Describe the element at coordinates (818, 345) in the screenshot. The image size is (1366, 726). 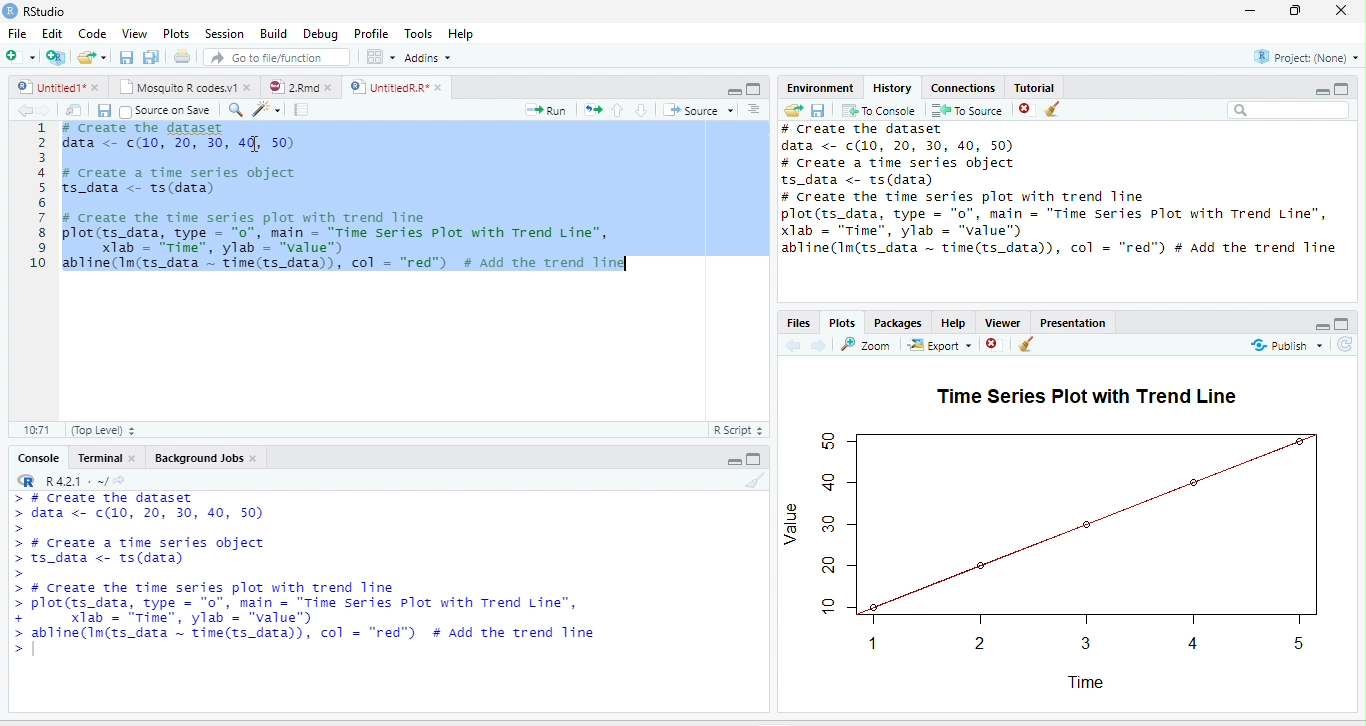
I see `Next plot` at that location.